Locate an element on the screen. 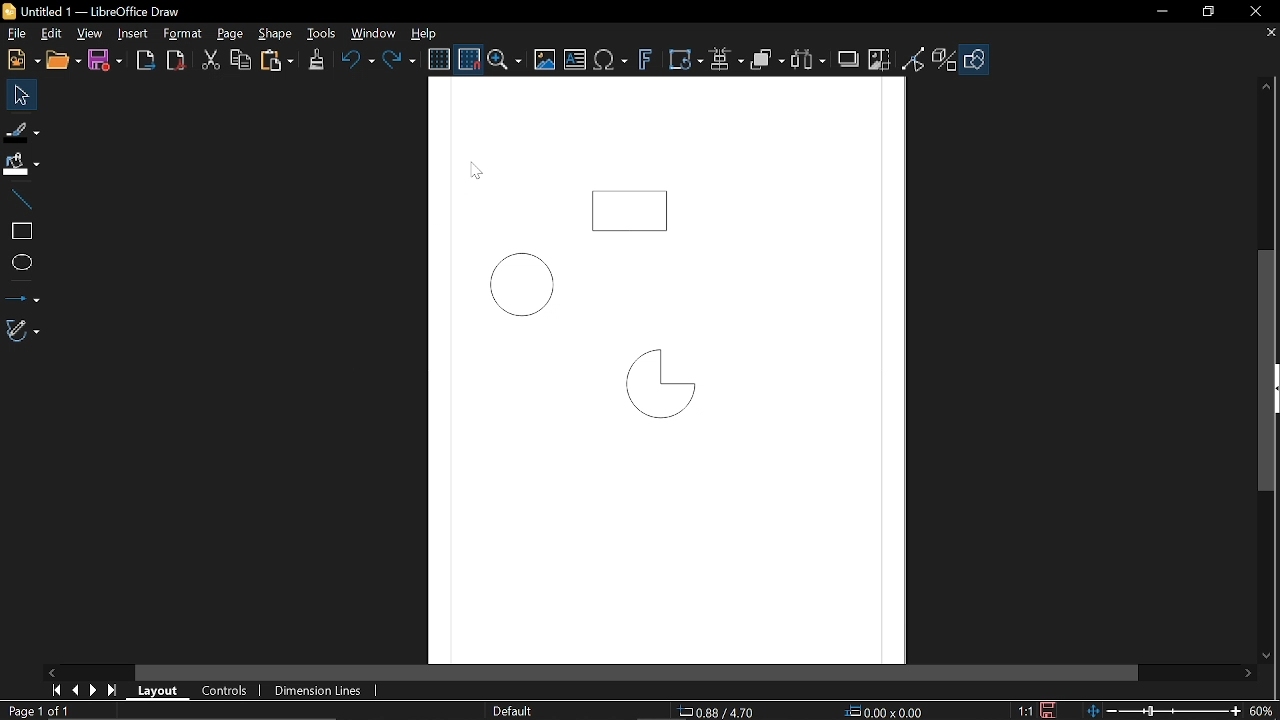 The width and height of the screenshot is (1280, 720). FiIl color is located at coordinates (22, 160).